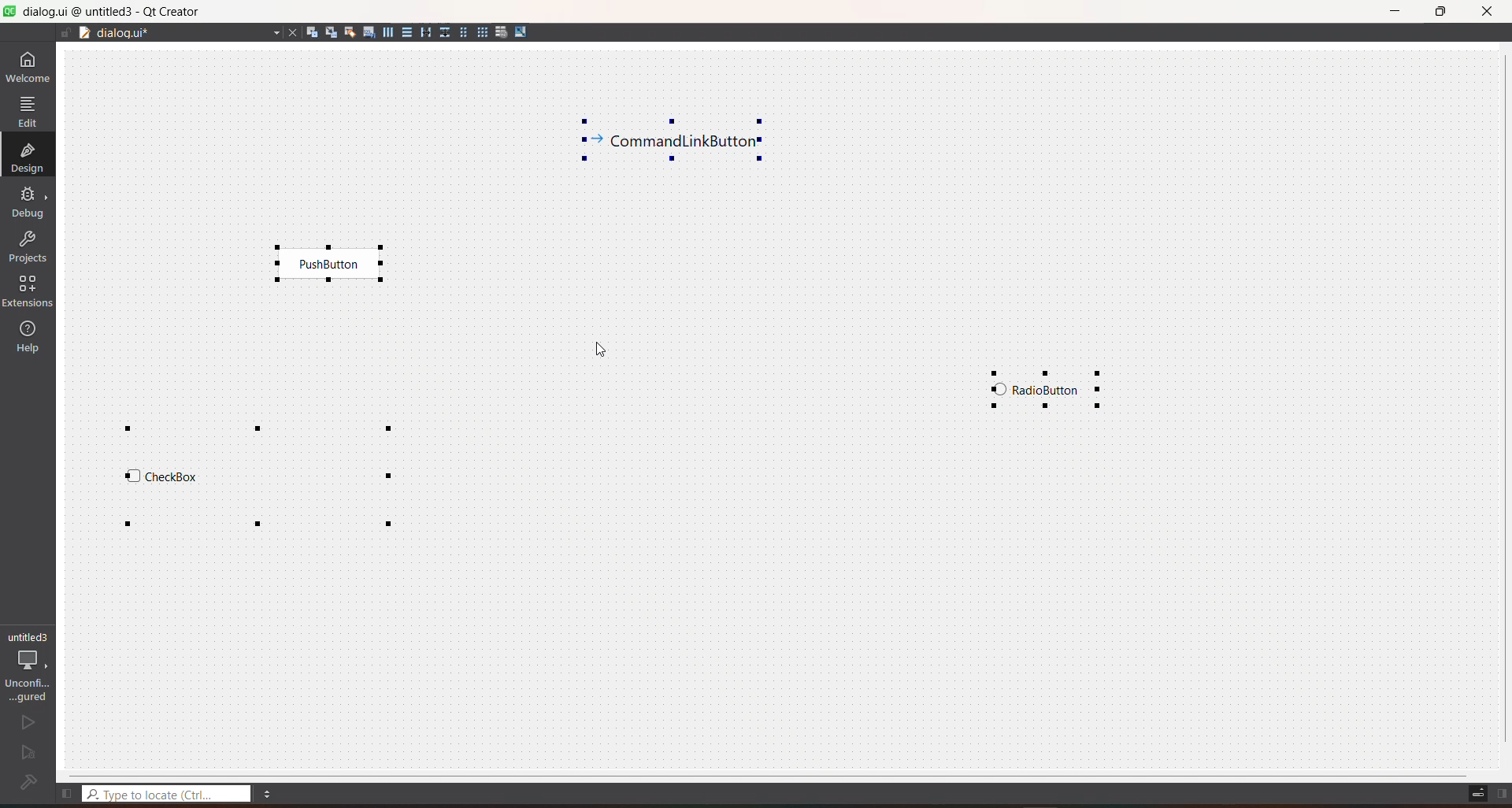 Image resolution: width=1512 pixels, height=808 pixels. What do you see at coordinates (386, 32) in the screenshot?
I see `layout horizontally` at bounding box center [386, 32].